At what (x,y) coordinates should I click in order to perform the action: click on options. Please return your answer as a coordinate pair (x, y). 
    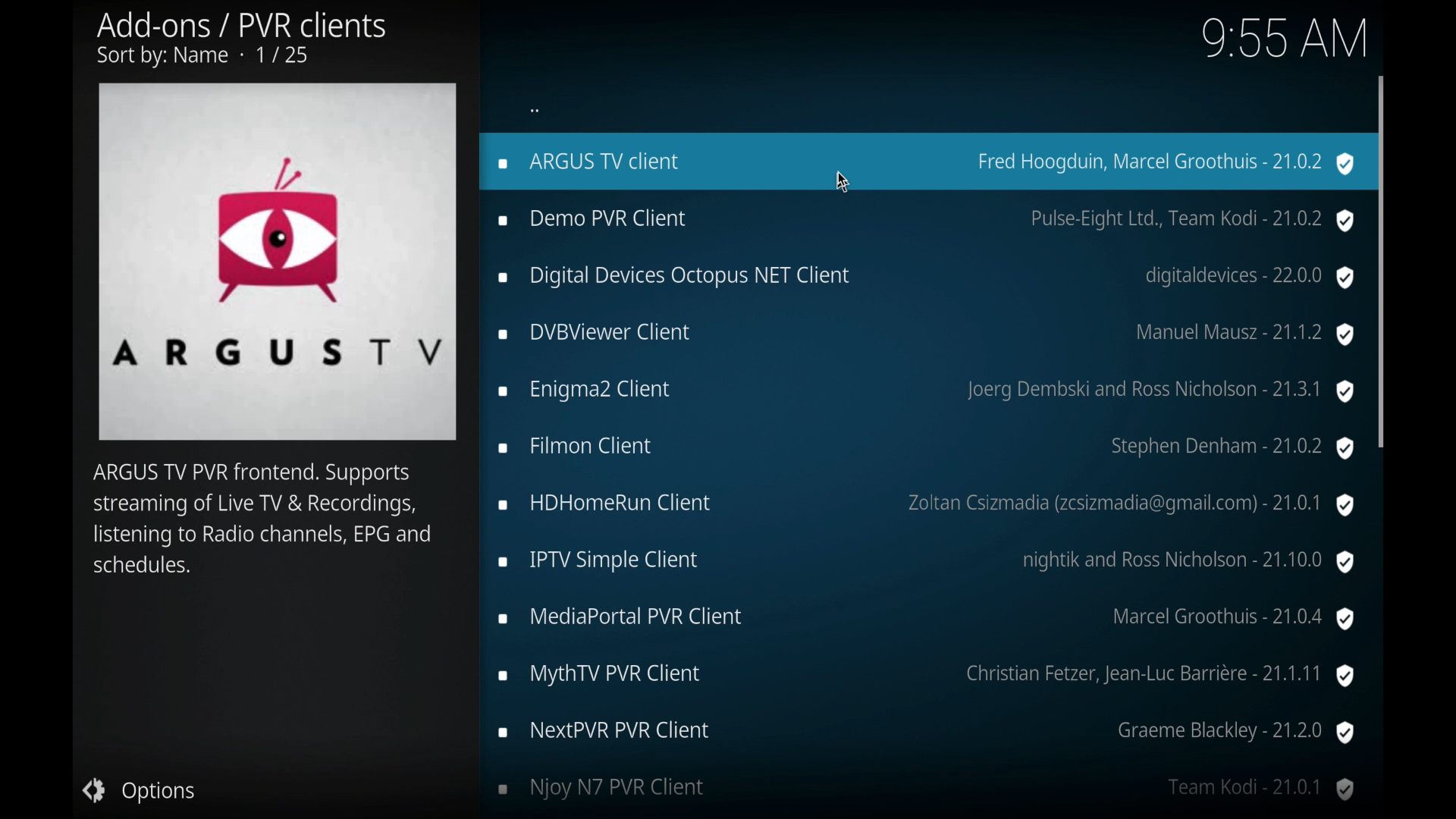
    Looking at the image, I should click on (140, 791).